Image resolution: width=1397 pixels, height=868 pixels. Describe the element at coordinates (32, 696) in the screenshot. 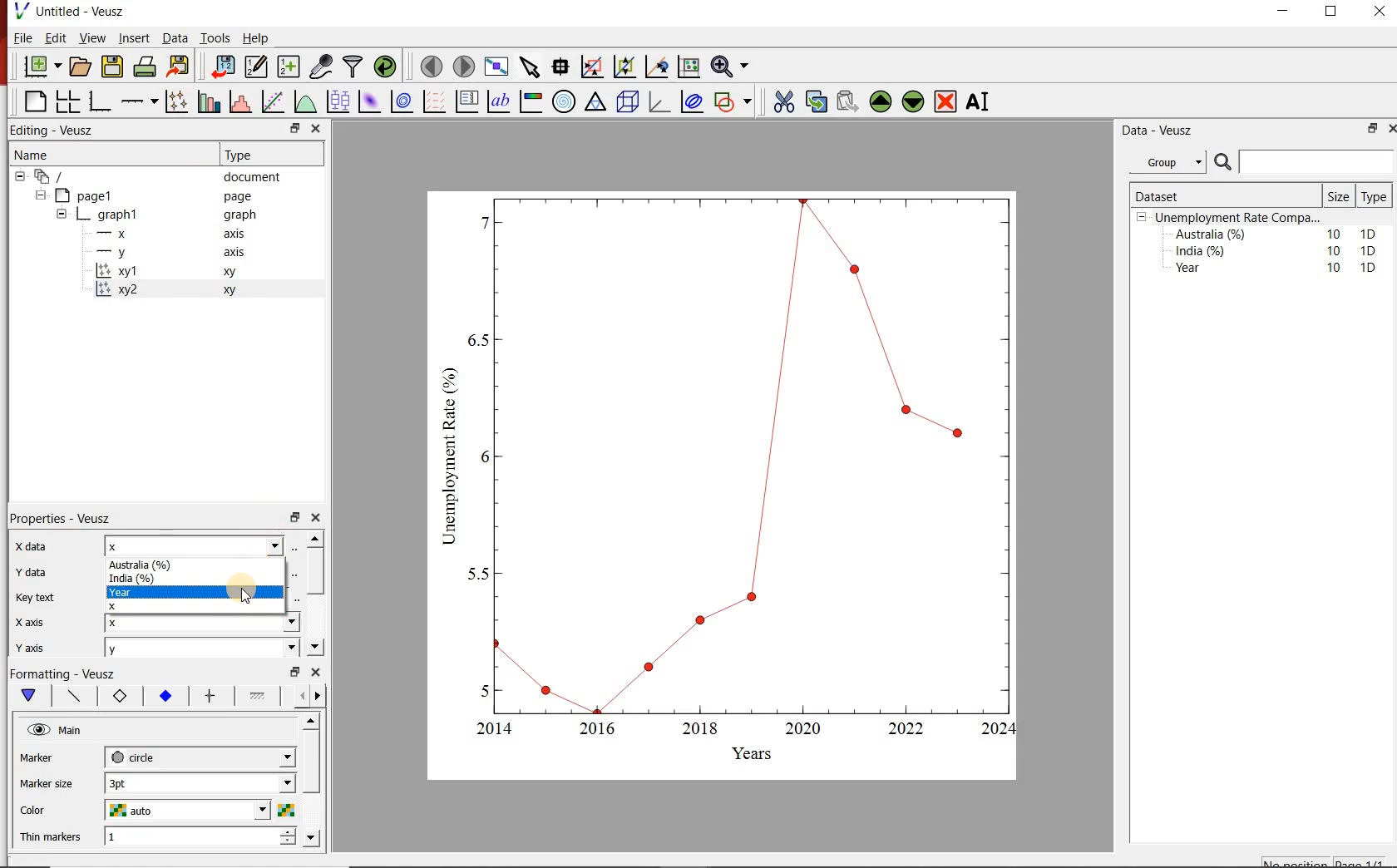

I see `main` at that location.